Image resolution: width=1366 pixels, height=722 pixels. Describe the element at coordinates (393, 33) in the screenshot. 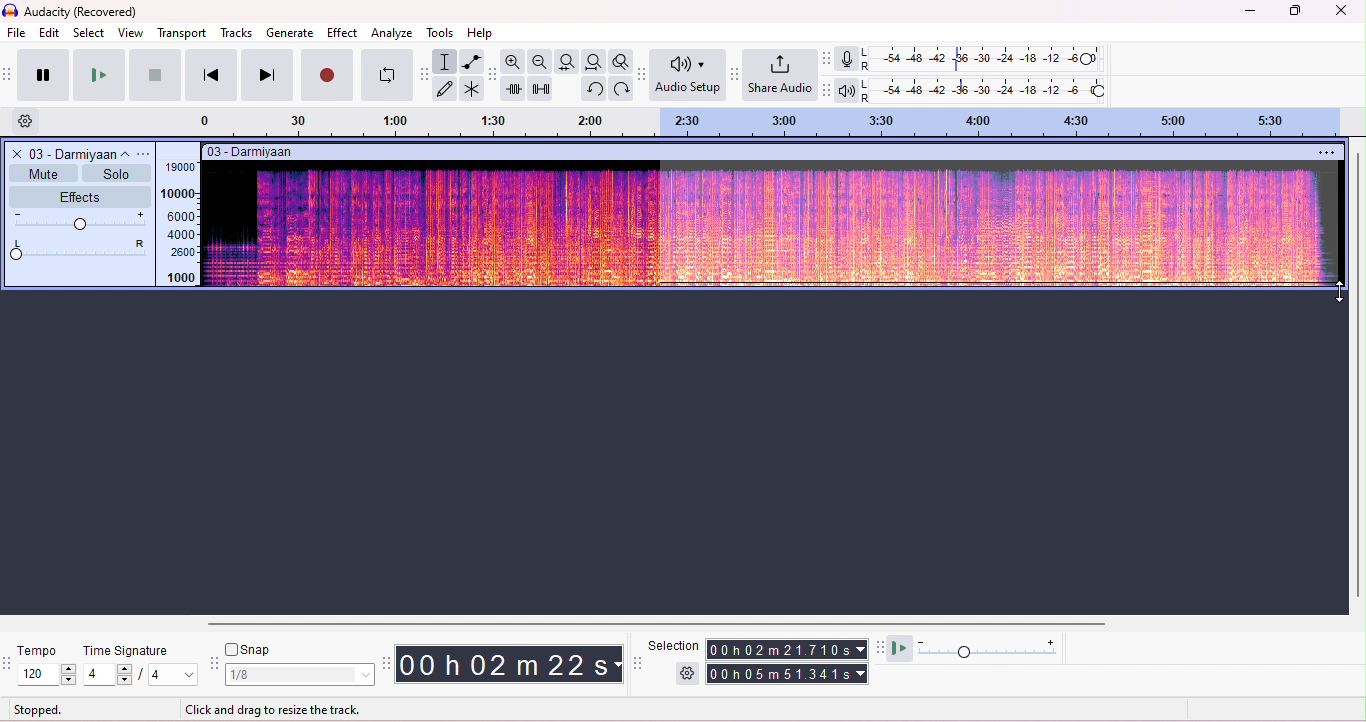

I see `analyze` at that location.